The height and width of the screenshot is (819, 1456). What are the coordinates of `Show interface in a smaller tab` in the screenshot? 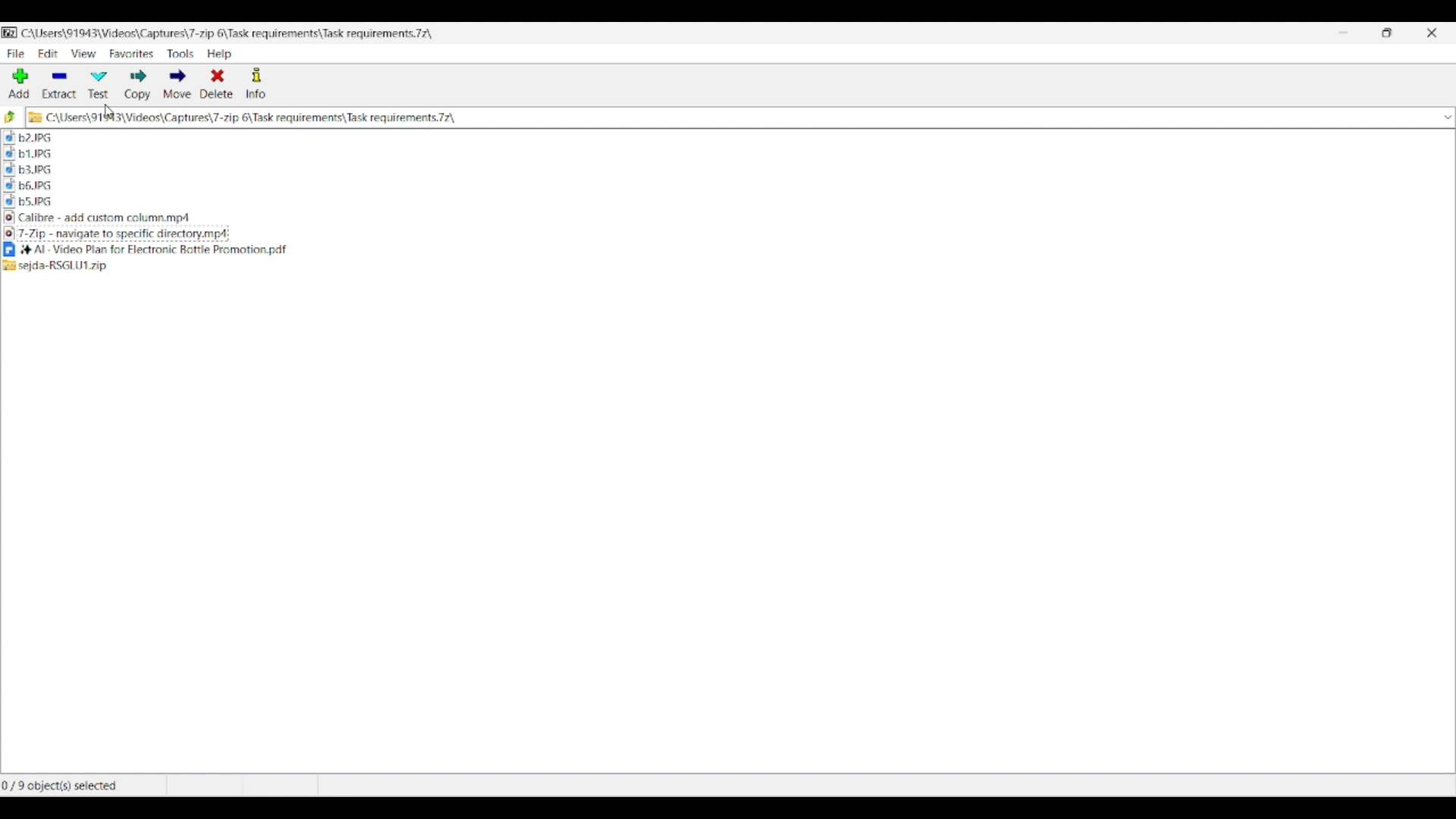 It's located at (1387, 33).